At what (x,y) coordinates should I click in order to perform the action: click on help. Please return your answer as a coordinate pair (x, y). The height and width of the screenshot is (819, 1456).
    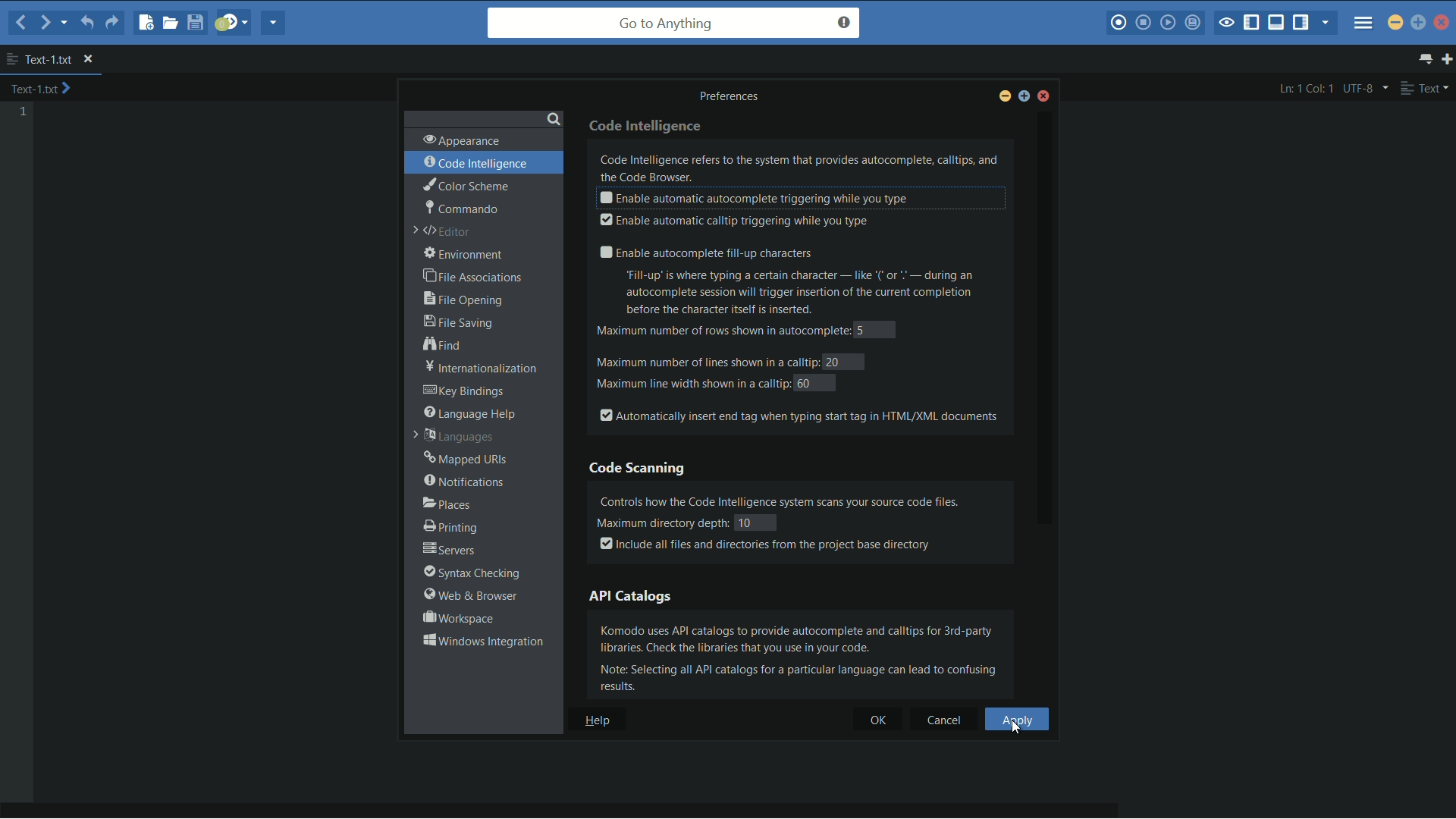
    Looking at the image, I should click on (600, 720).